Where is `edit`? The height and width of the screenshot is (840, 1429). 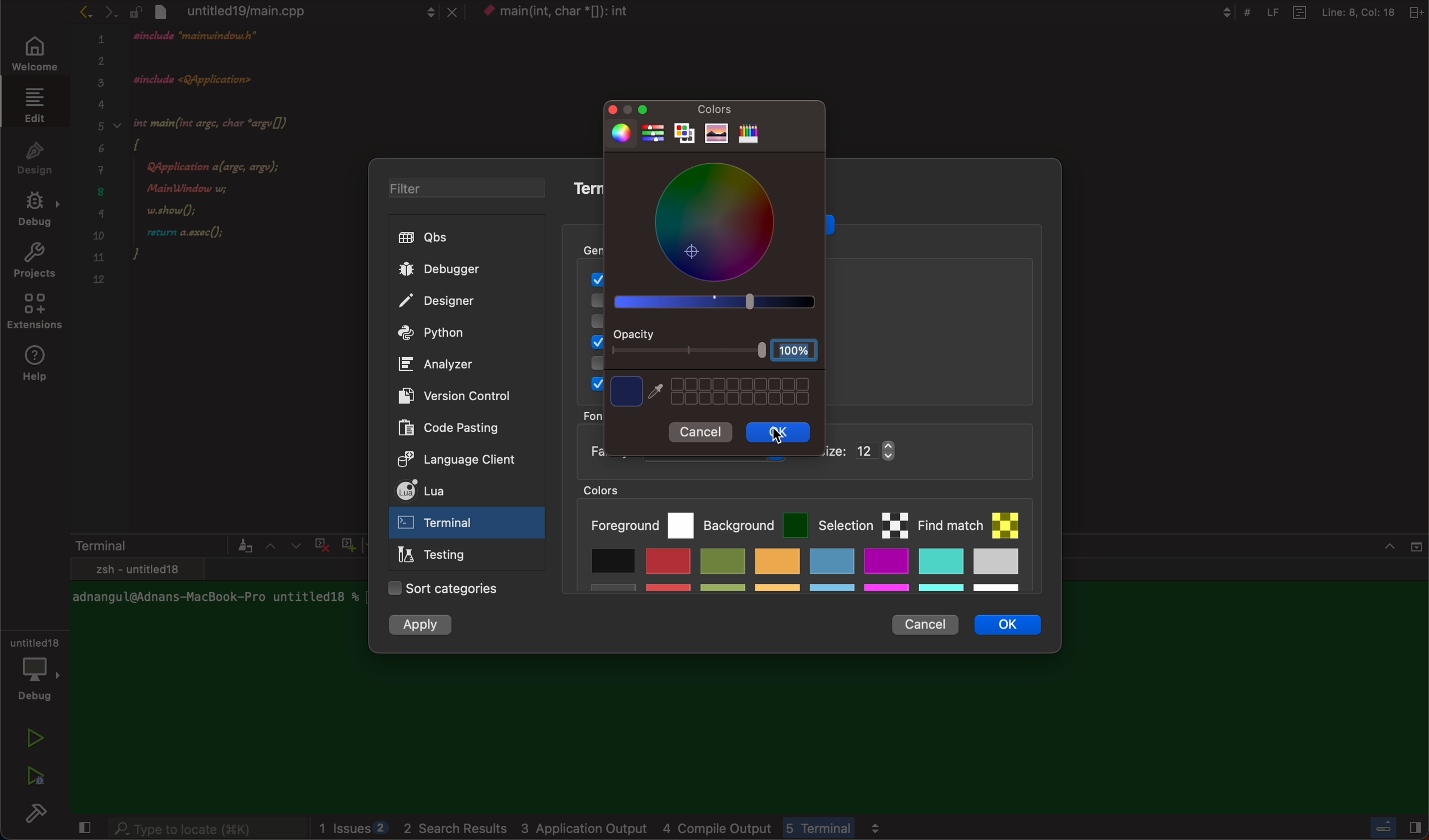 edit is located at coordinates (32, 104).